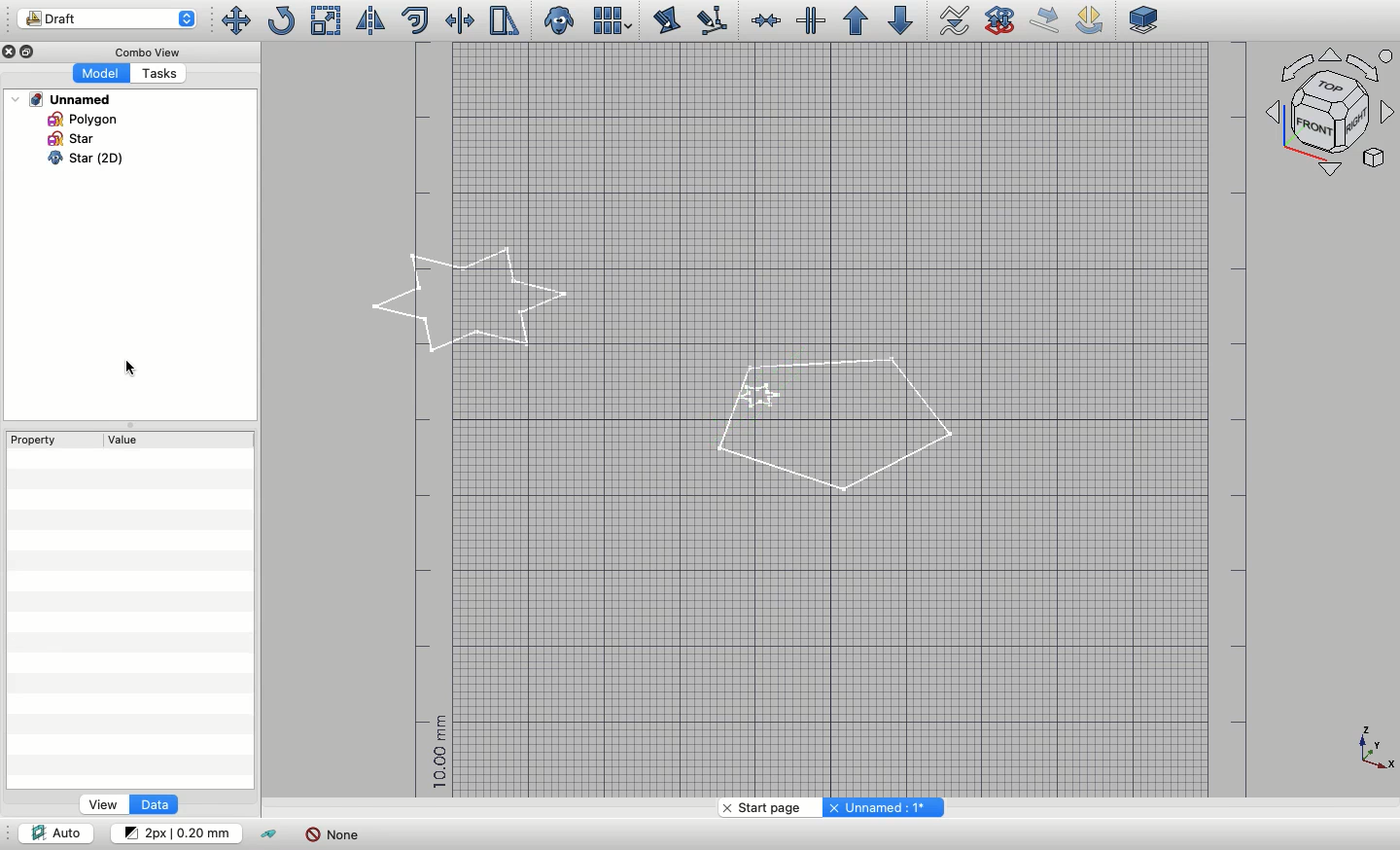 This screenshot has width=1400, height=850. Describe the element at coordinates (62, 99) in the screenshot. I see `Unnamed` at that location.